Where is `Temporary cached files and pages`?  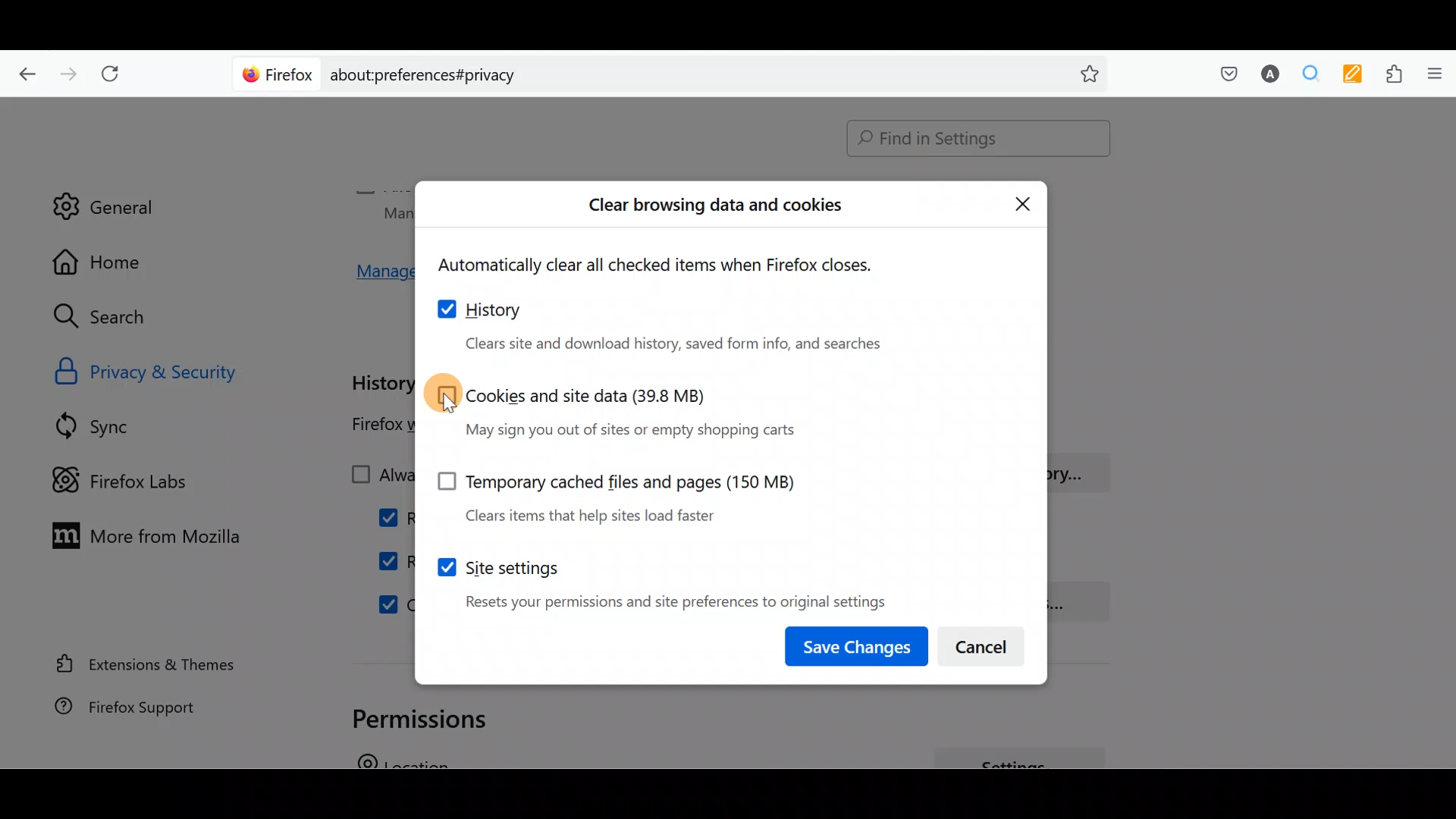
Temporary cached files and pages is located at coordinates (607, 492).